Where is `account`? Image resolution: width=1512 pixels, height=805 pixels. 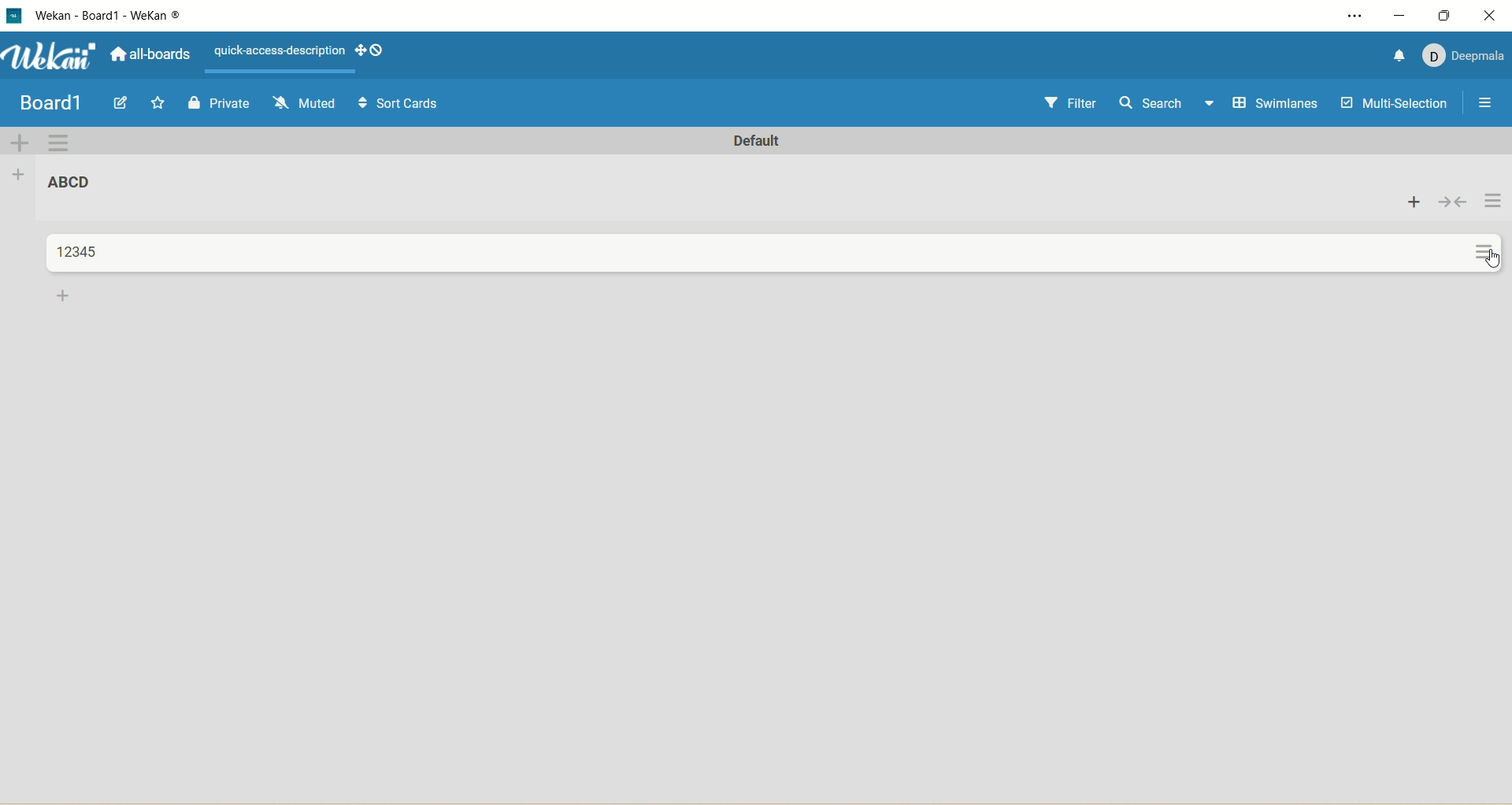
account is located at coordinates (1466, 58).